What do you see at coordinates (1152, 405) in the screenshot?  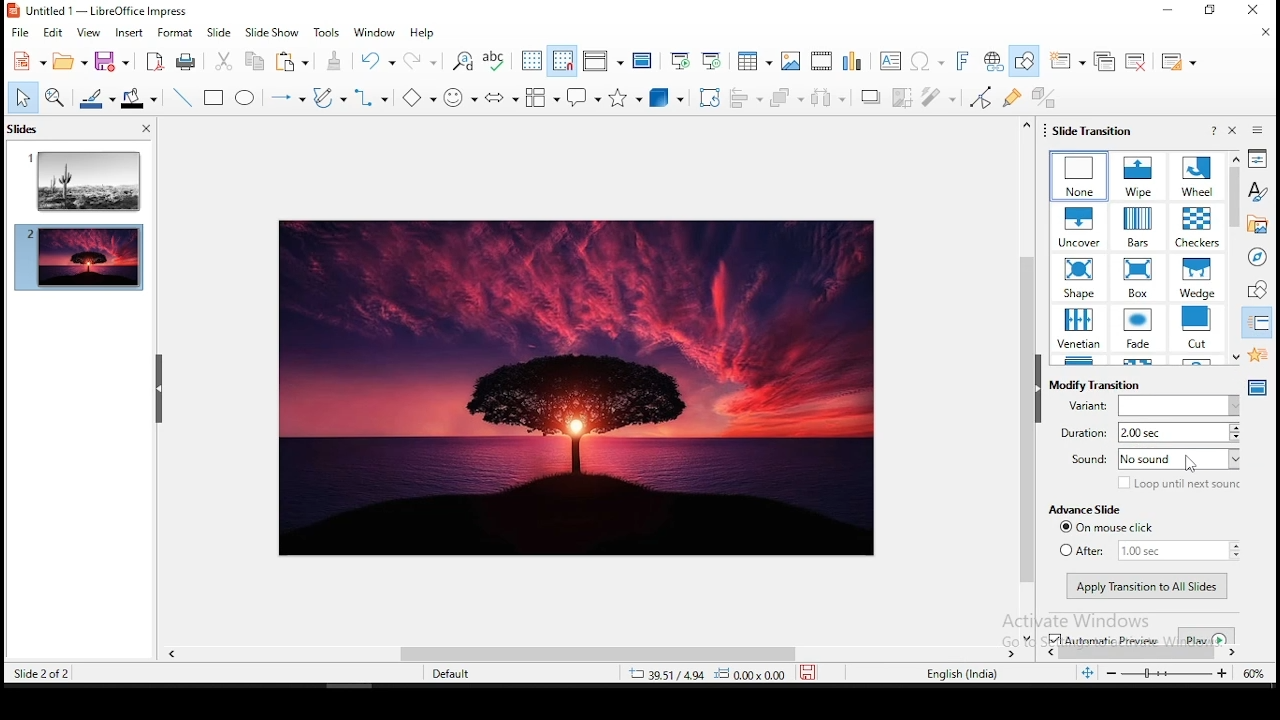 I see `variant` at bounding box center [1152, 405].